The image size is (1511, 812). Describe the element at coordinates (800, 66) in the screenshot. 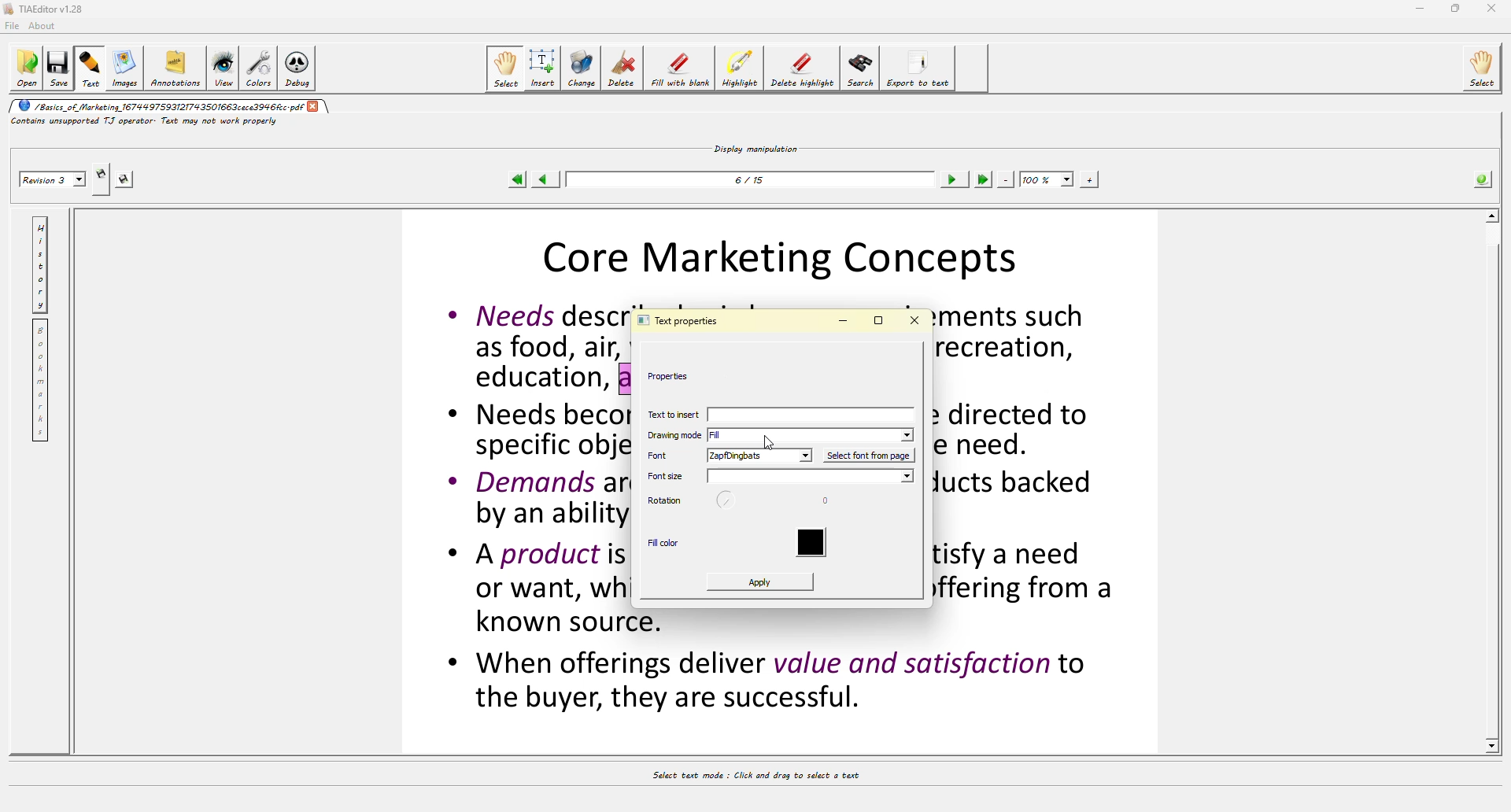

I see `delete highlight` at that location.